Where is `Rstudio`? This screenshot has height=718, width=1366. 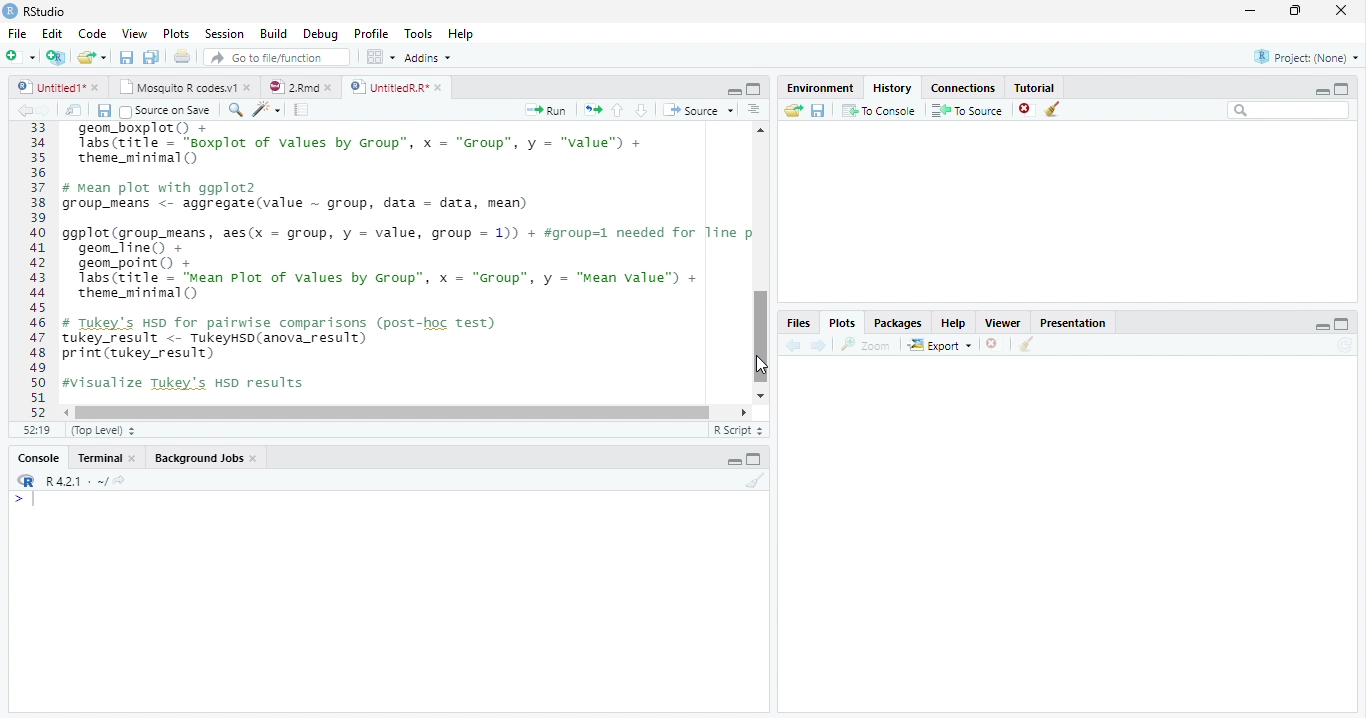 Rstudio is located at coordinates (33, 9).